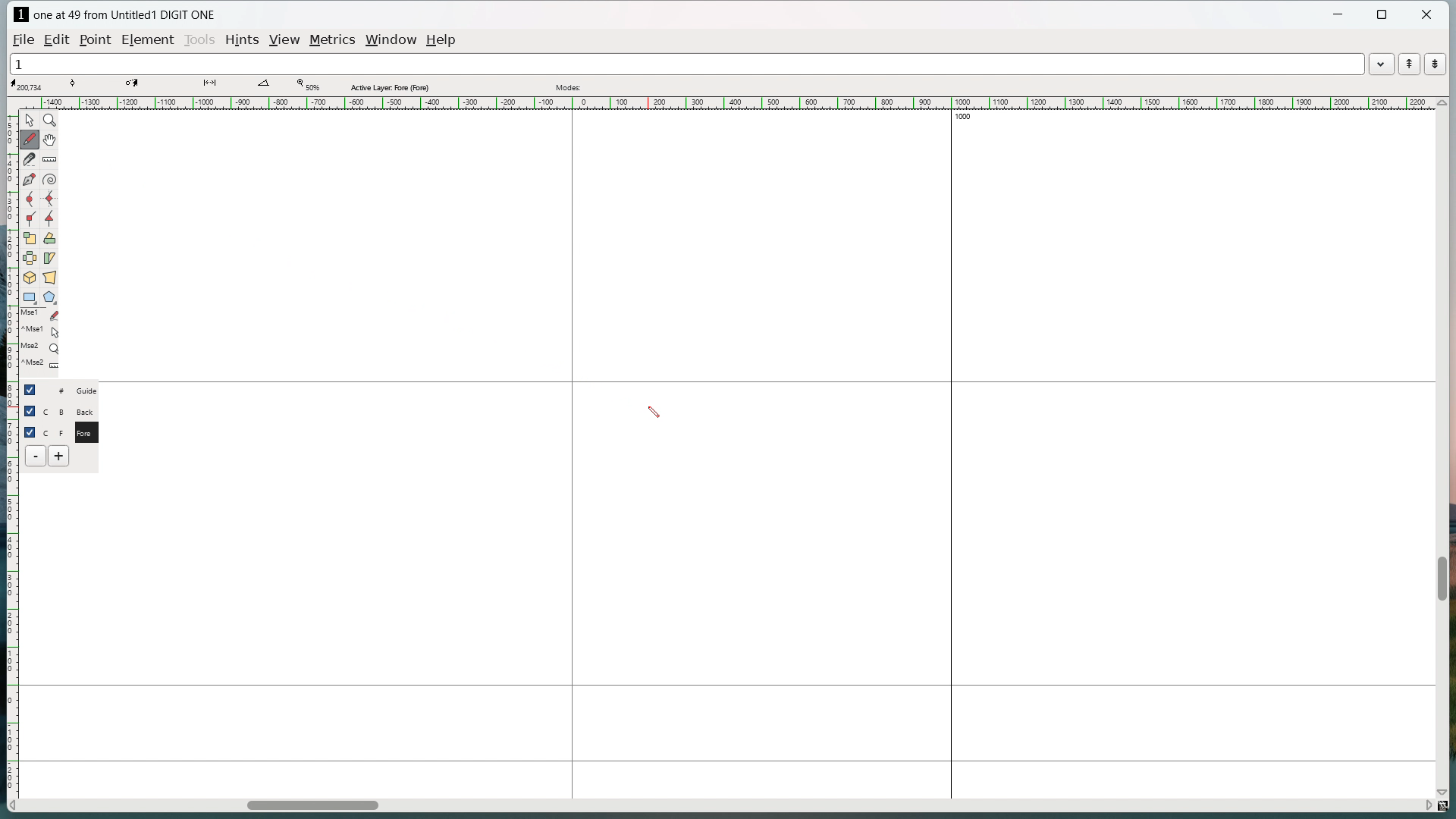 This screenshot has width=1456, height=819. Describe the element at coordinates (286, 40) in the screenshot. I see `view` at that location.